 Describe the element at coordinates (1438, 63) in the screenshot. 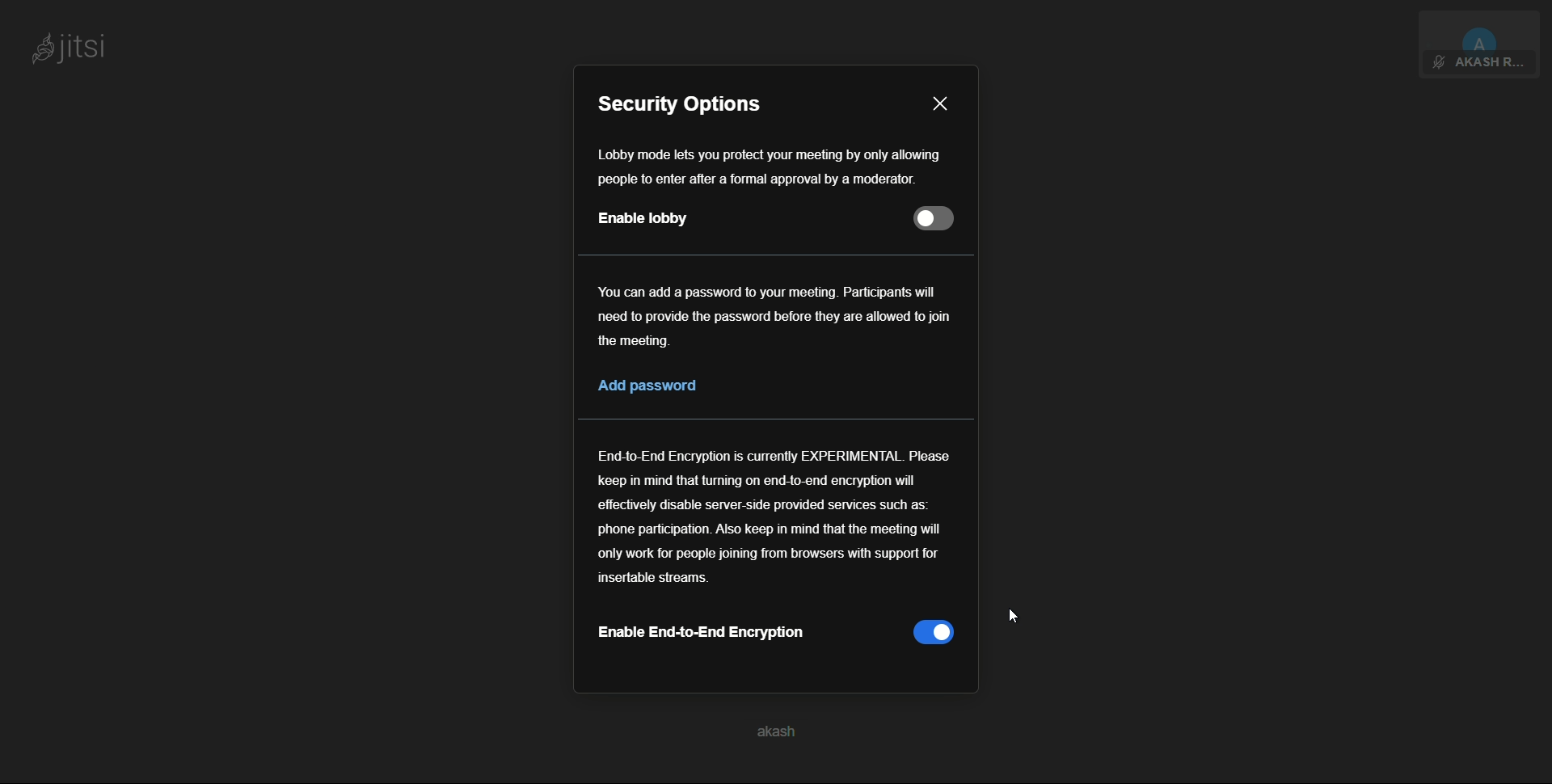

I see `mute` at that location.